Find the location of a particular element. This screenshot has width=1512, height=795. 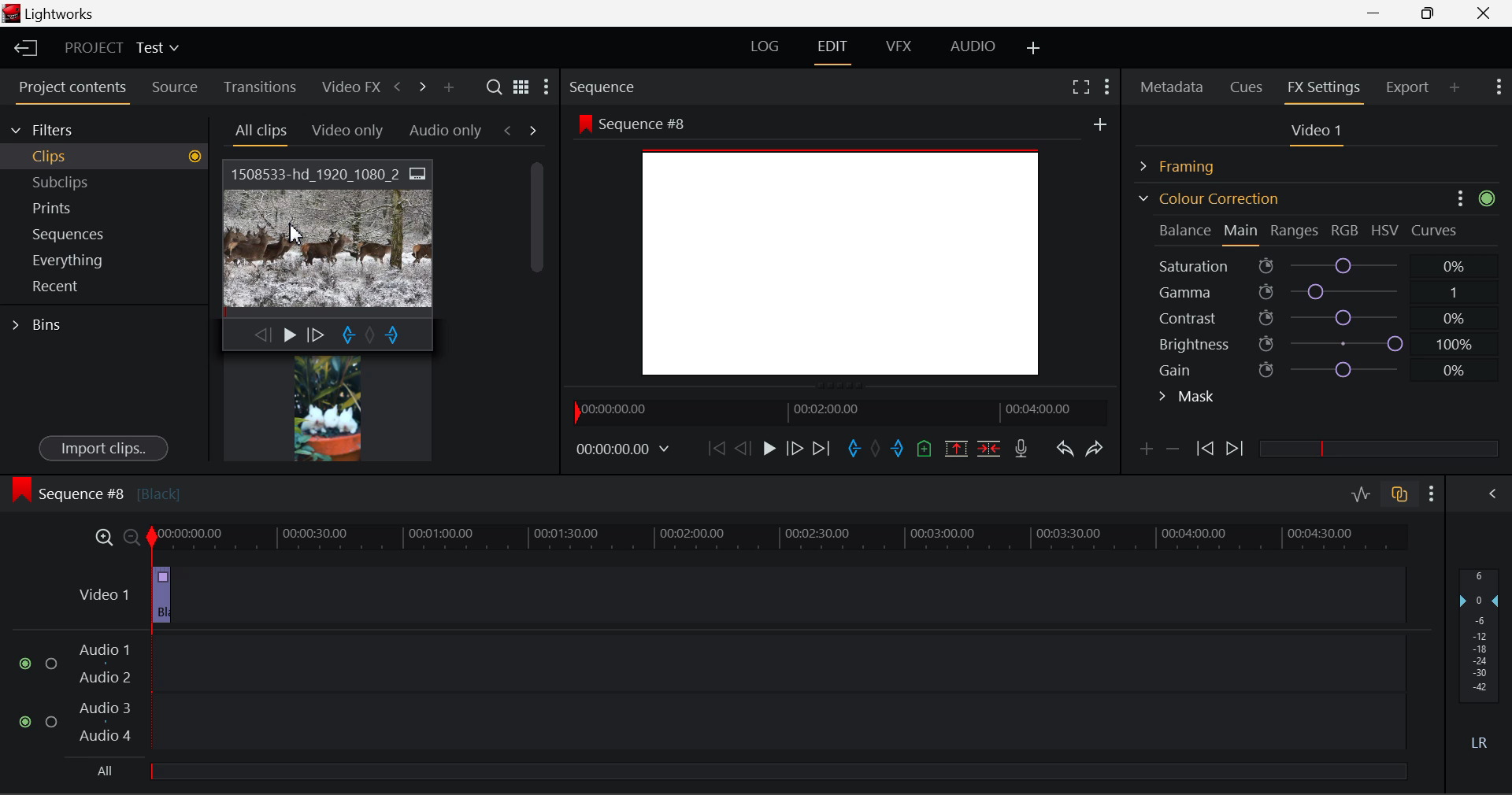

Remove All Marks is located at coordinates (877, 450).